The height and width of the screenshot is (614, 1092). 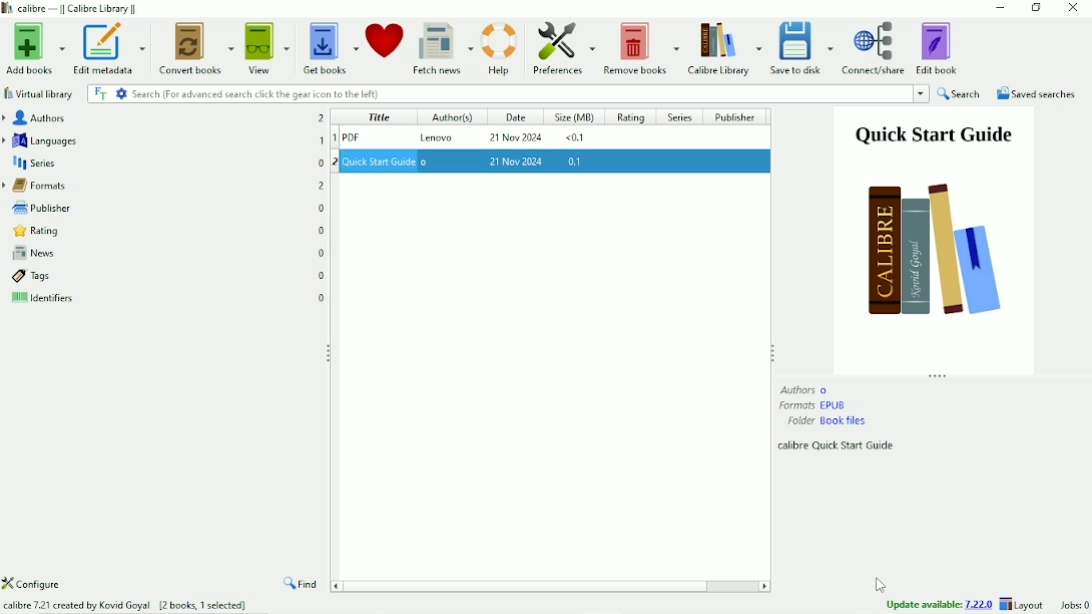 What do you see at coordinates (330, 353) in the screenshot?
I see `Resize` at bounding box center [330, 353].